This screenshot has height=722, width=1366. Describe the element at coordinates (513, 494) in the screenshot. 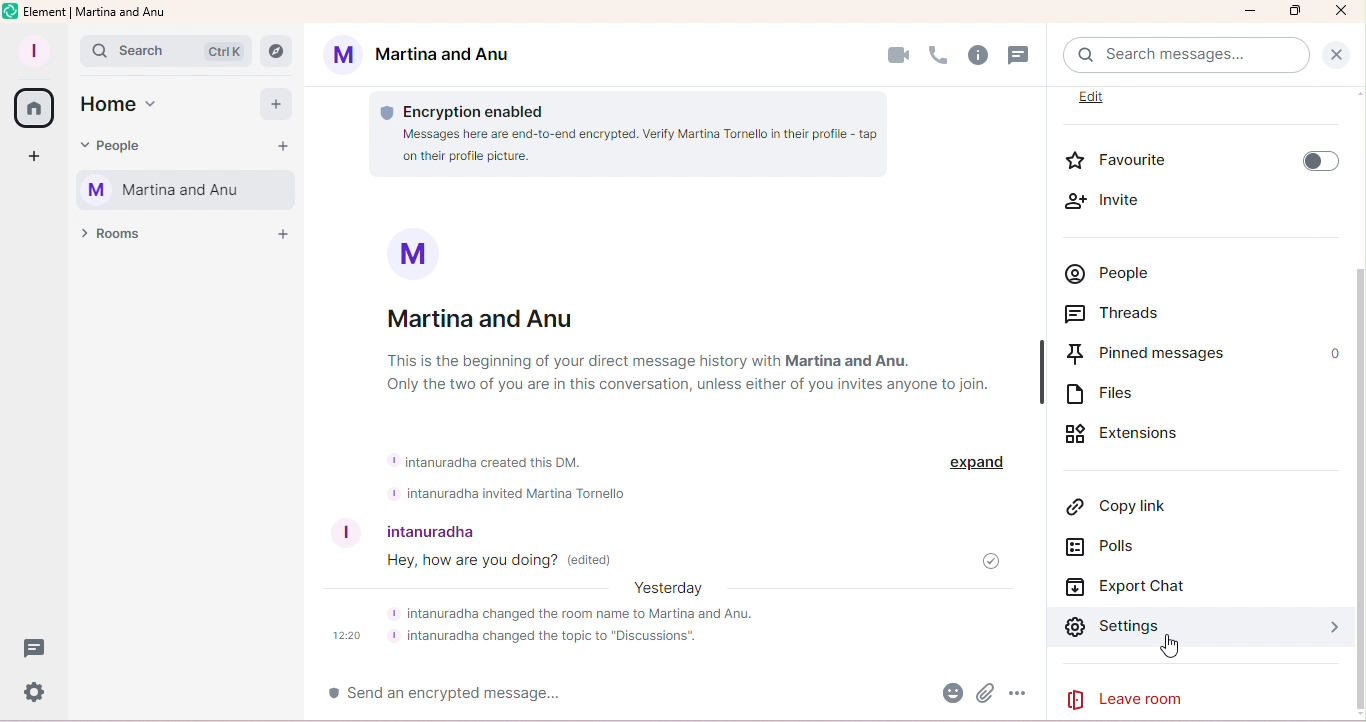

I see `intanuradha invited Martina Tornello` at that location.